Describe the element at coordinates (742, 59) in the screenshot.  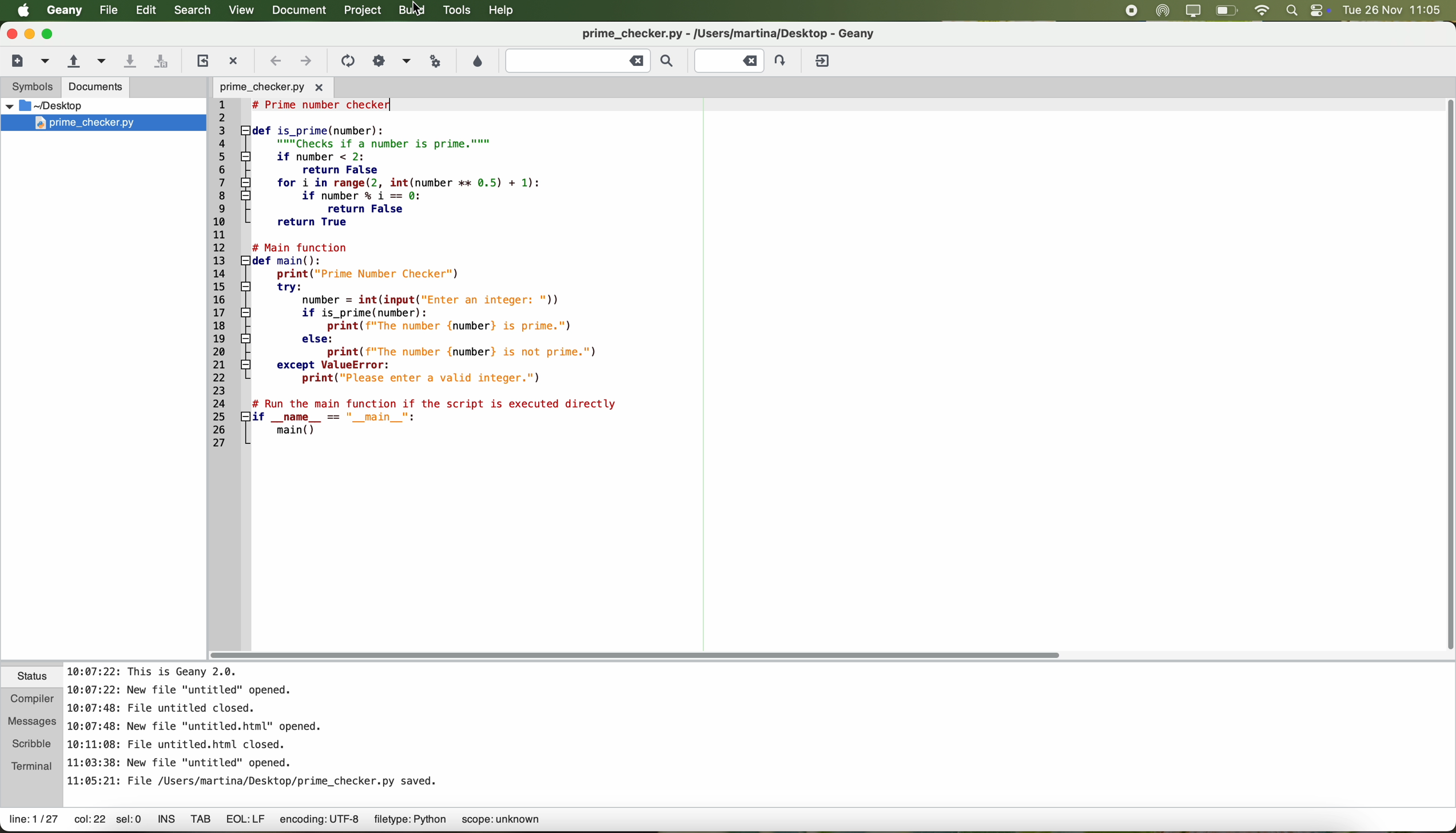
I see `Jump to the entered line number` at that location.